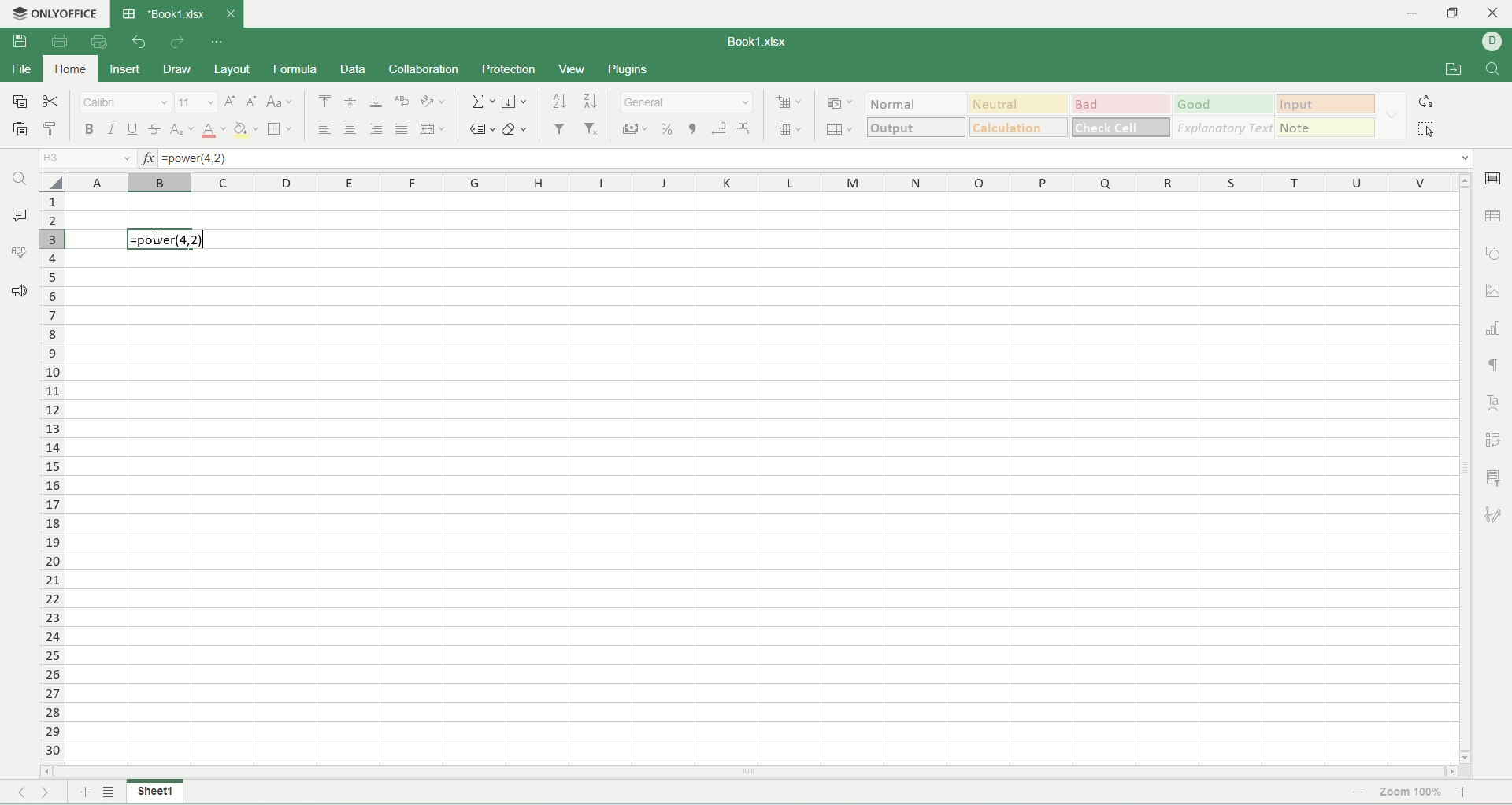  What do you see at coordinates (130, 130) in the screenshot?
I see `underline` at bounding box center [130, 130].